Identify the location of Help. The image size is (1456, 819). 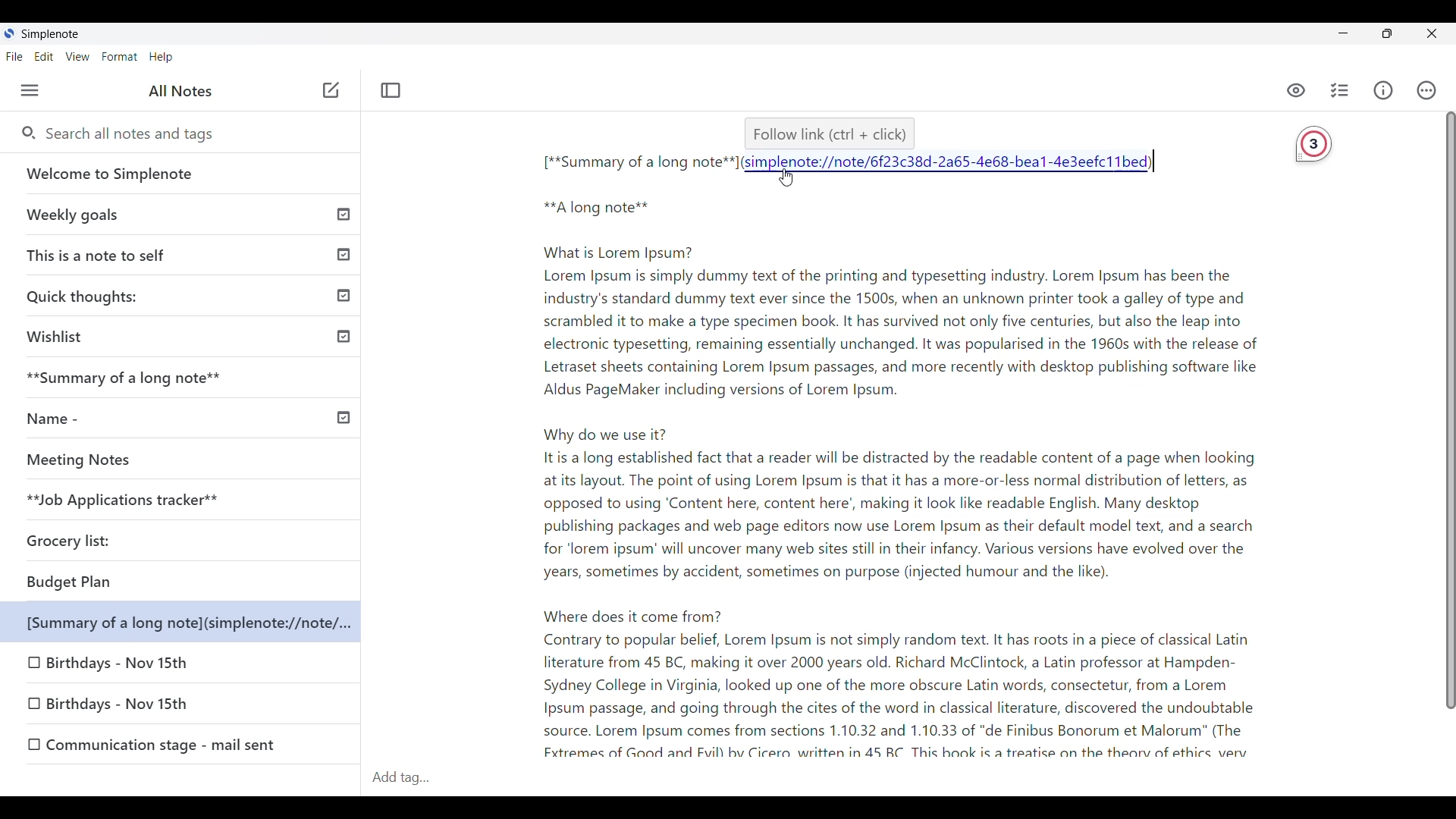
(162, 58).